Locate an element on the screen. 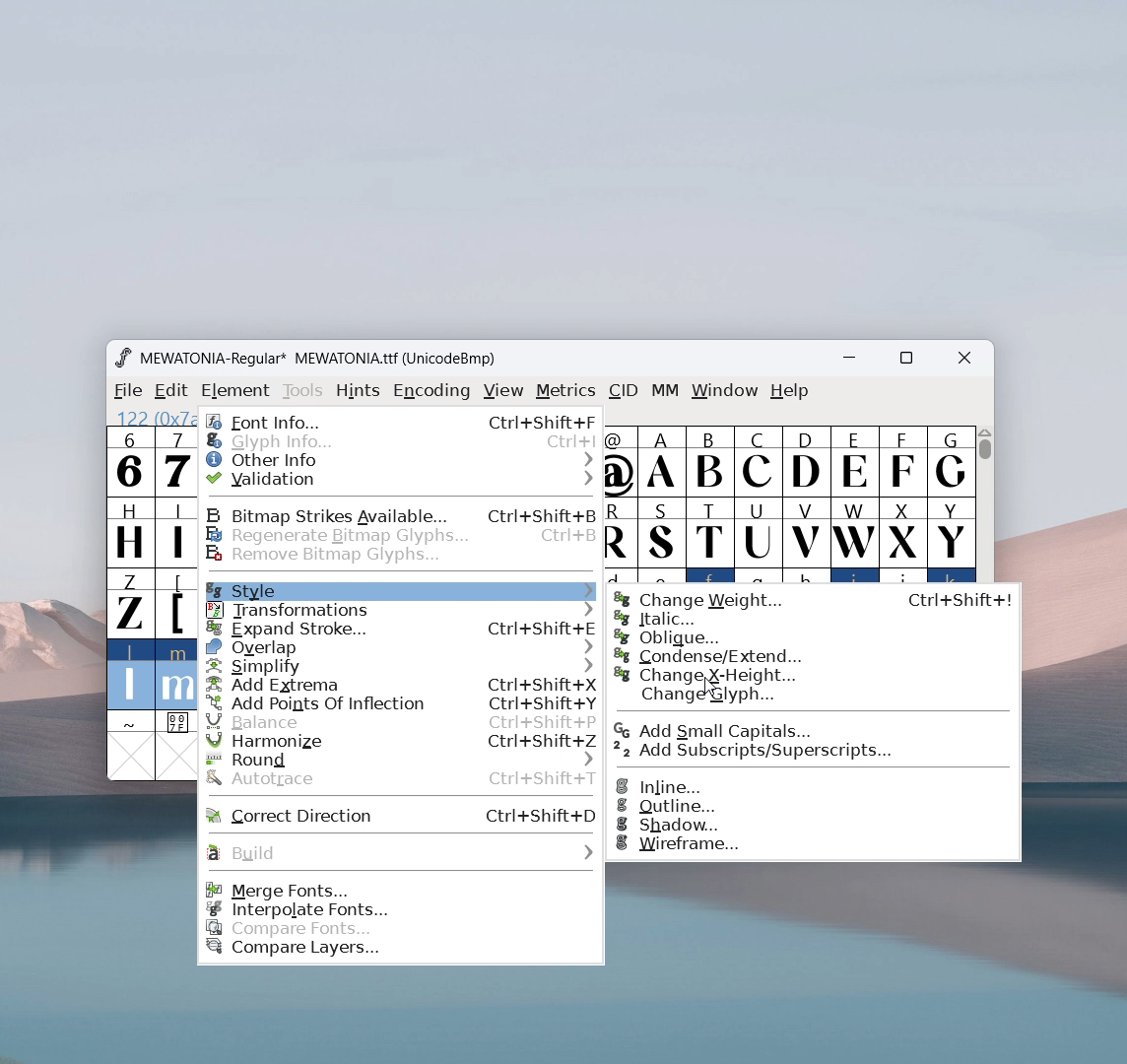  italic is located at coordinates (814, 619).